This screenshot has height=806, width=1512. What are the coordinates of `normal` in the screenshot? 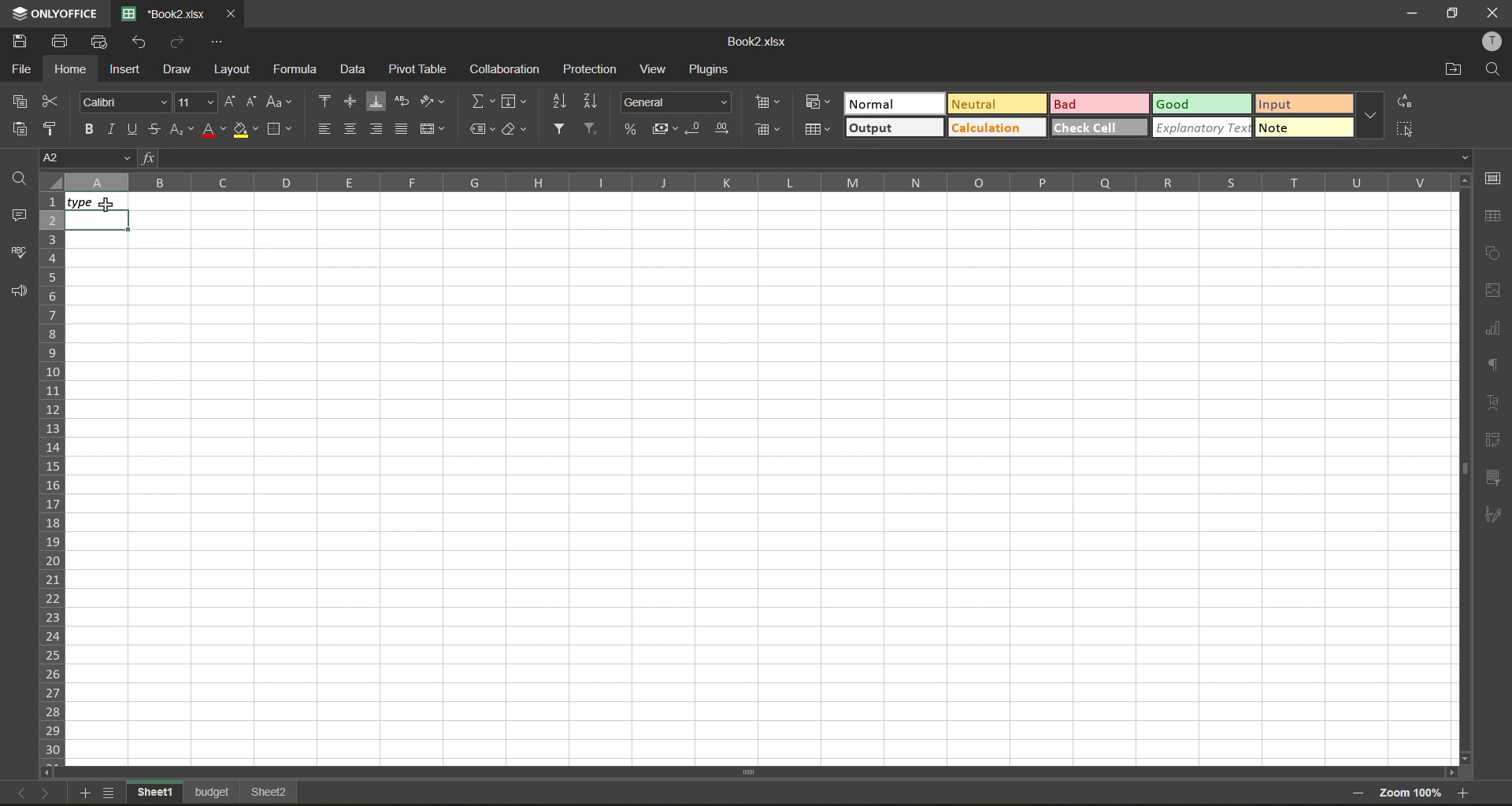 It's located at (894, 105).